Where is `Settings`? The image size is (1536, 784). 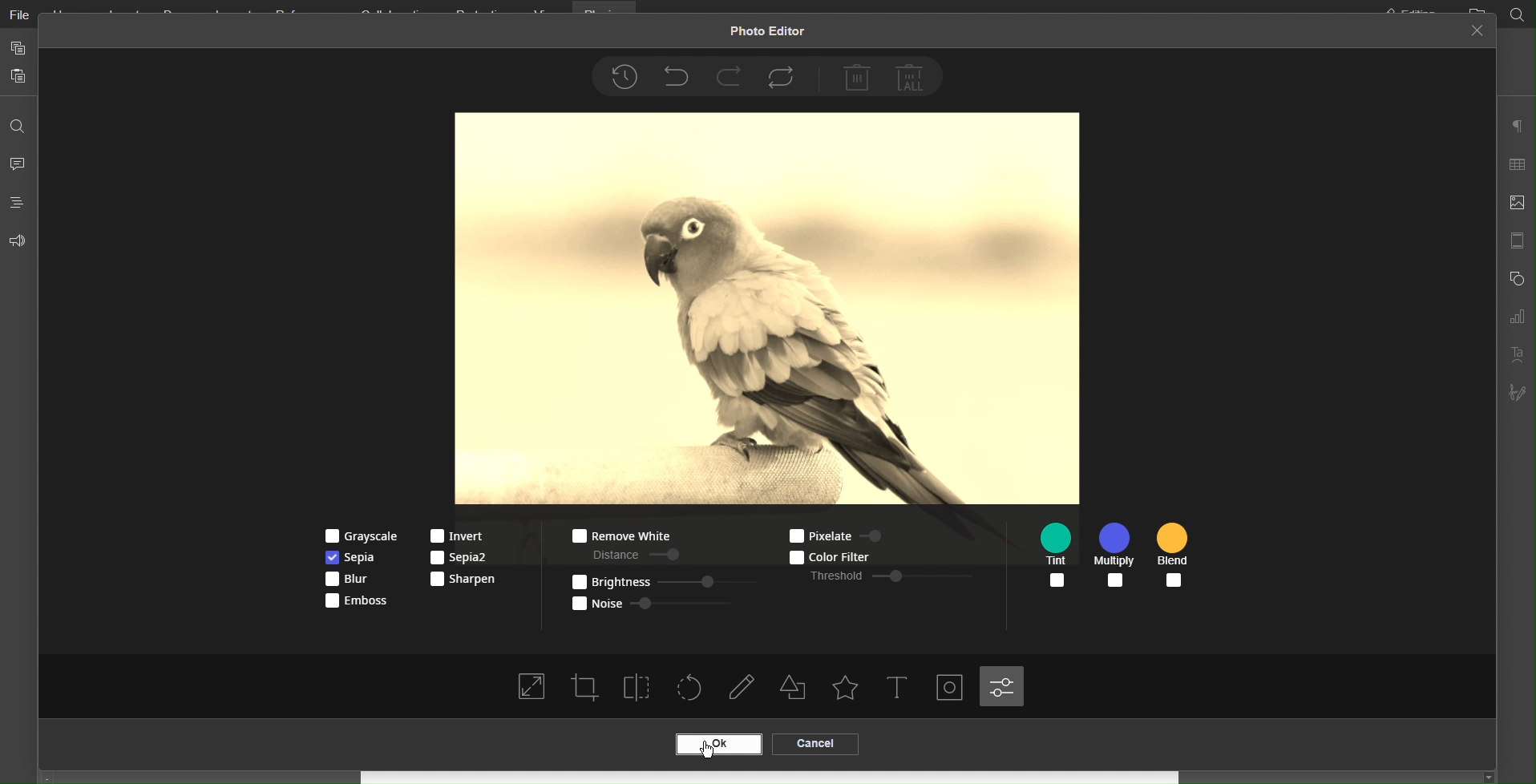
Settings is located at coordinates (1003, 686).